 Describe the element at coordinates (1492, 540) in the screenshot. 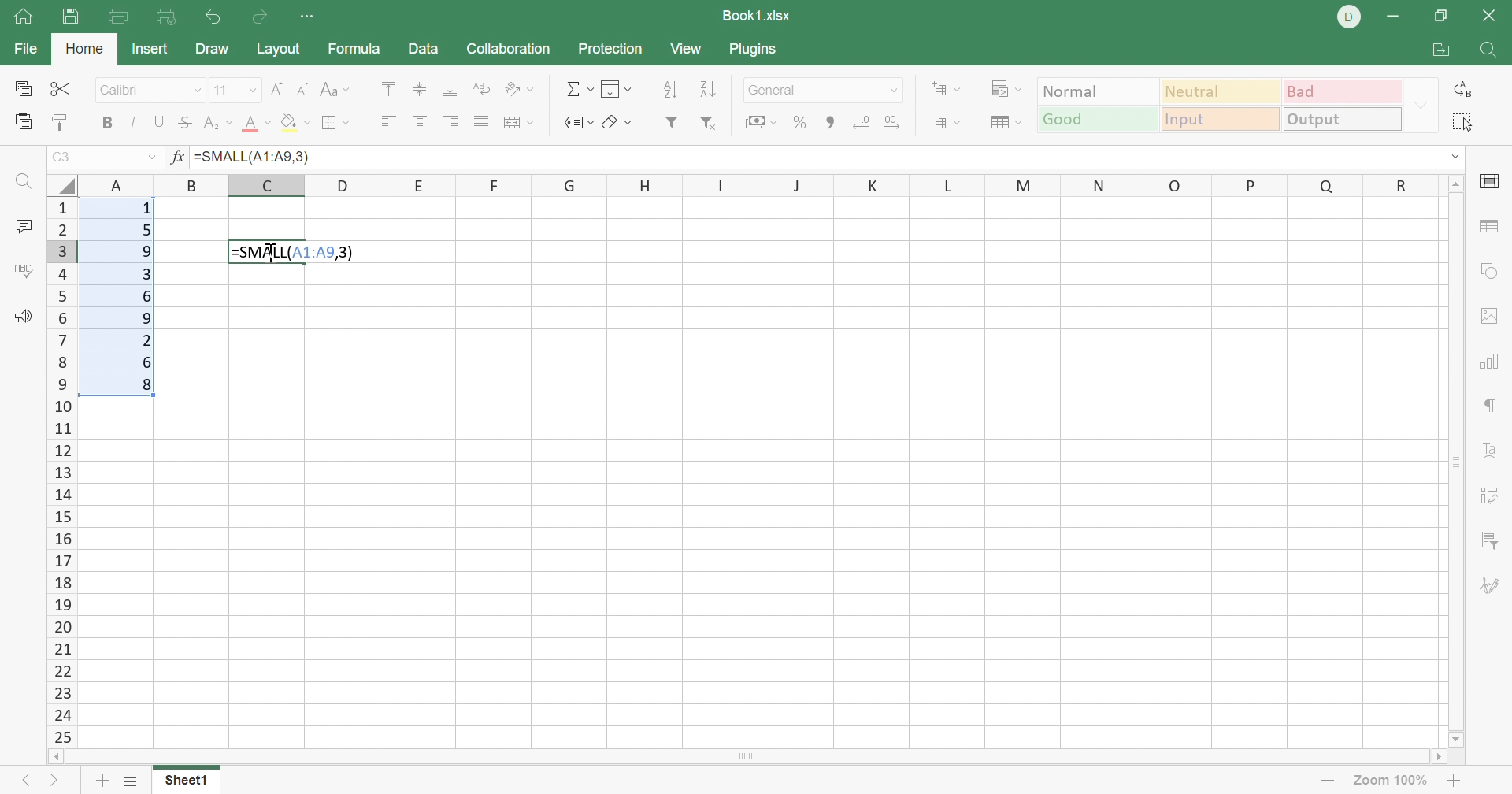

I see `Slicer settings` at that location.